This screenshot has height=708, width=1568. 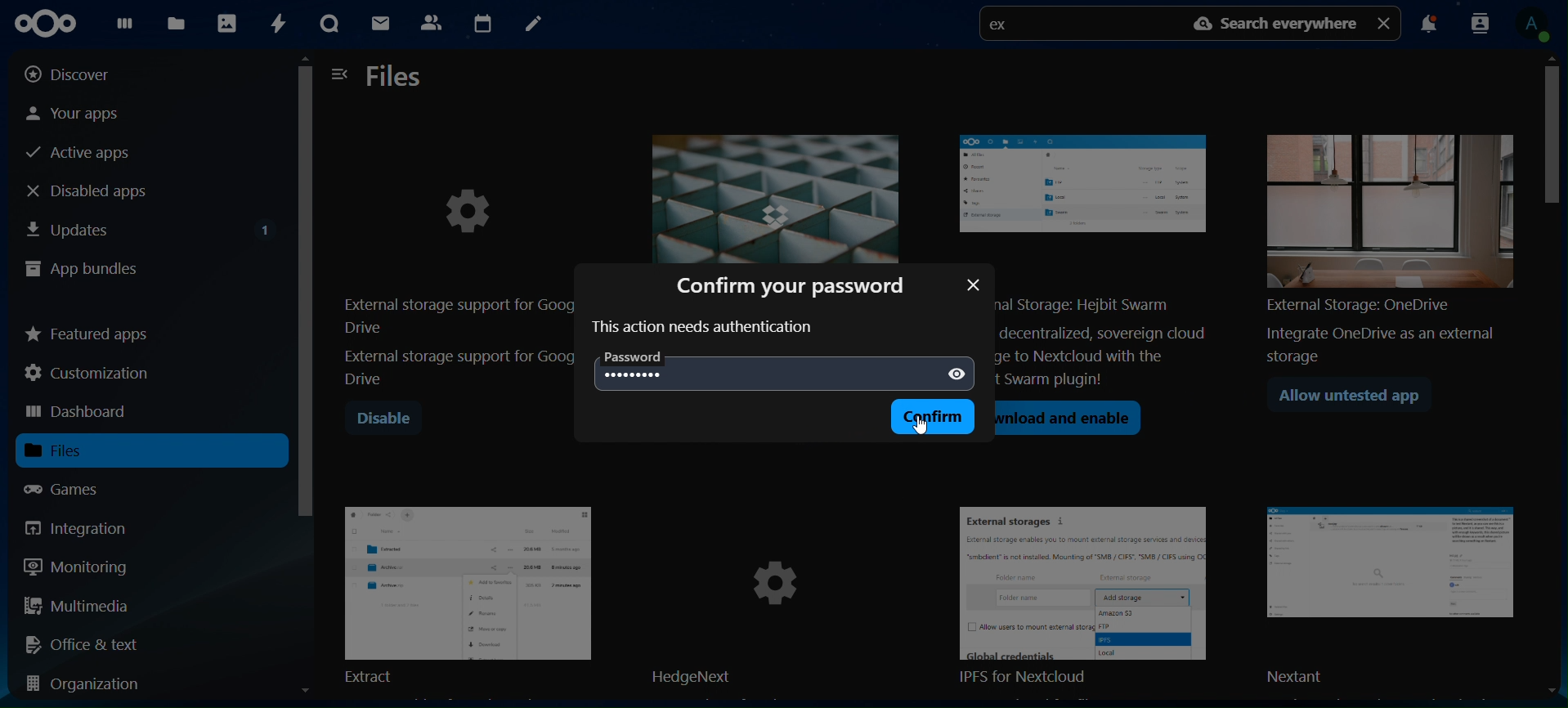 I want to click on files, so click(x=396, y=78).